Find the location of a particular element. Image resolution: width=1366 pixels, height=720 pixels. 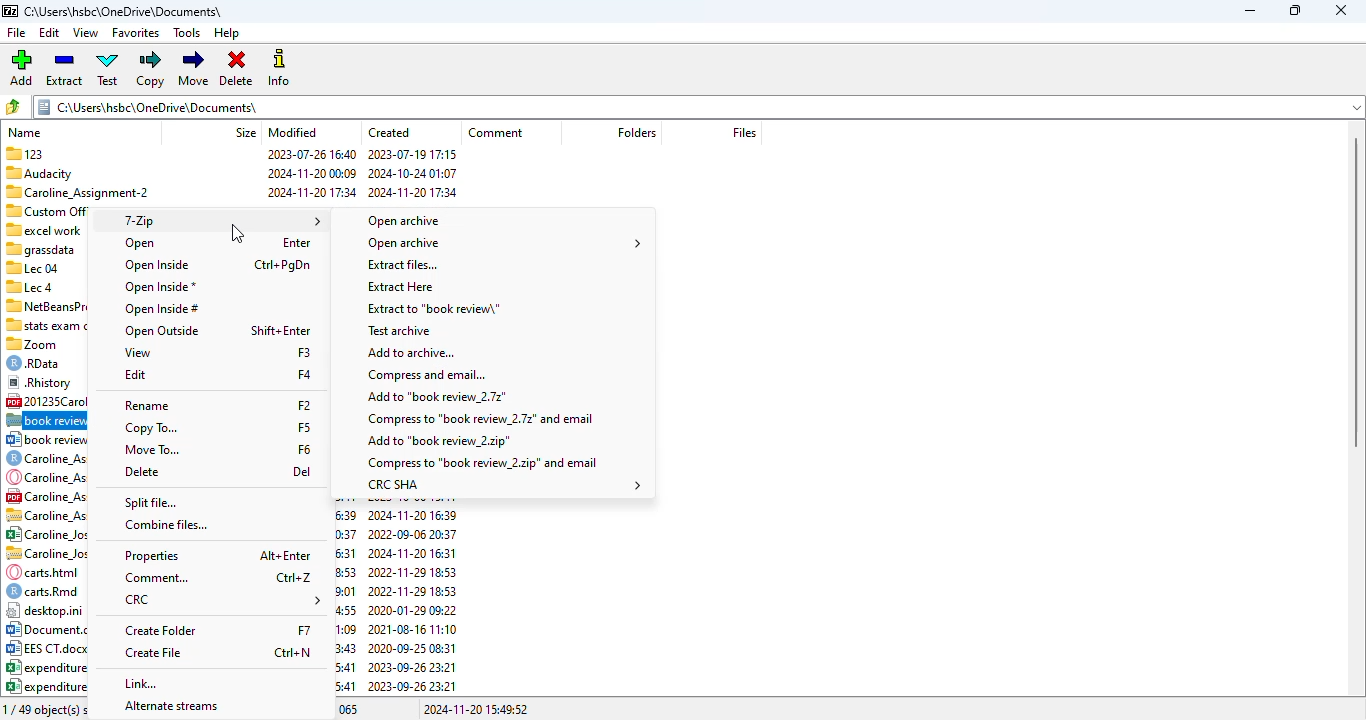

copy is located at coordinates (149, 69).